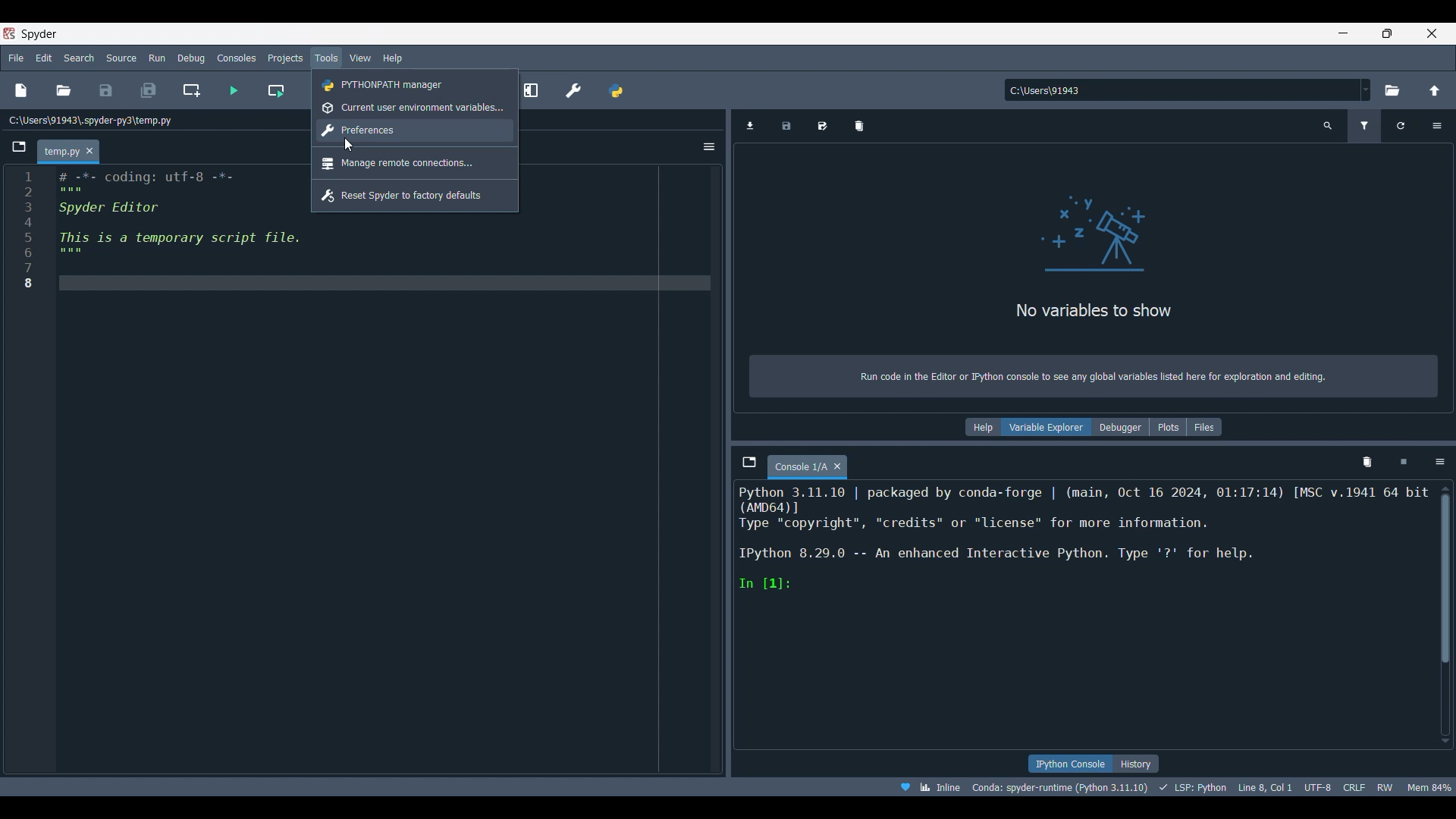 The height and width of the screenshot is (819, 1456). Describe the element at coordinates (416, 195) in the screenshot. I see `Reset Spyder to factory defaults` at that location.